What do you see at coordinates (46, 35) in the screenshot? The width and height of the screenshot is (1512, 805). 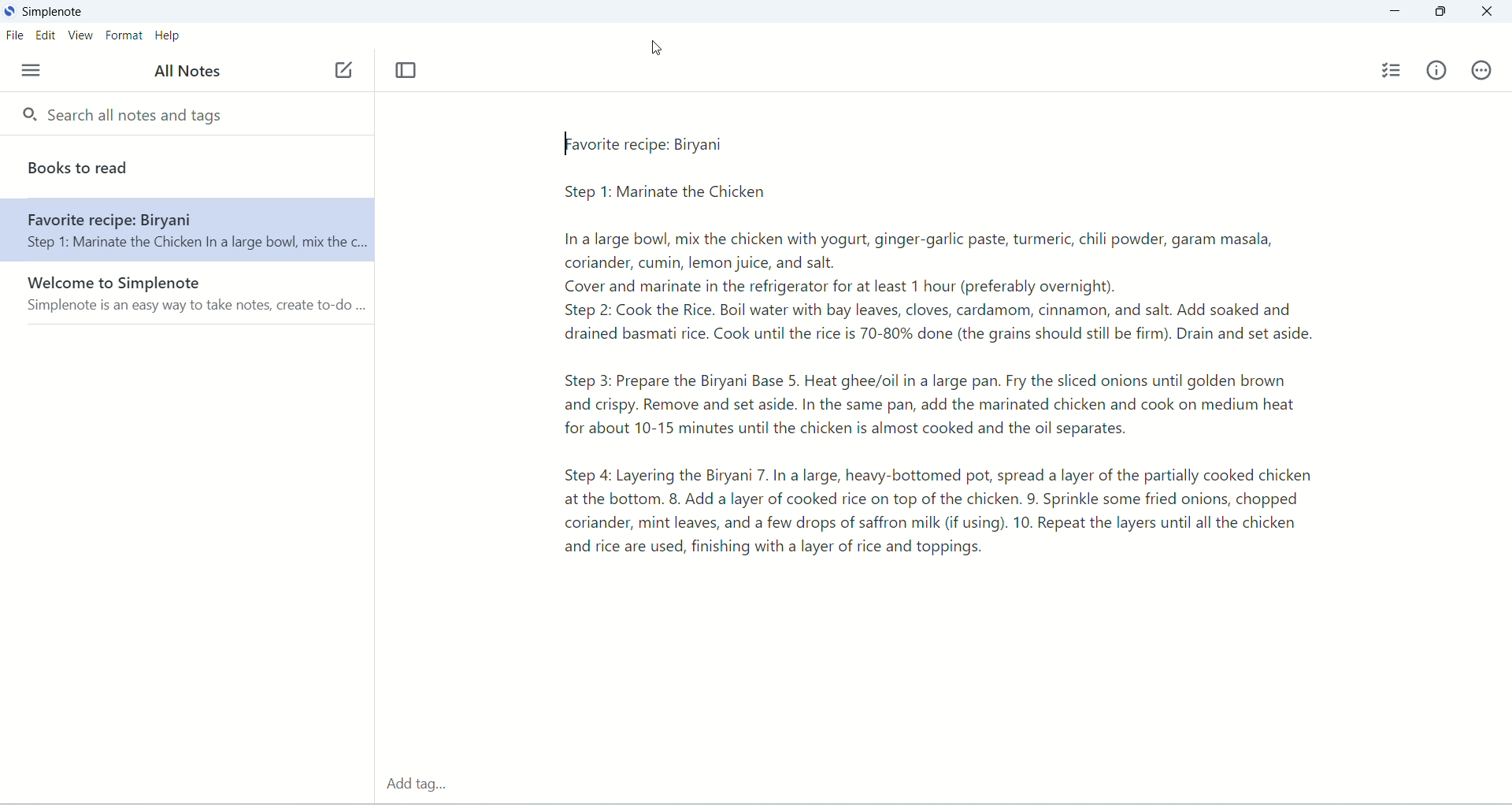 I see `edit` at bounding box center [46, 35].